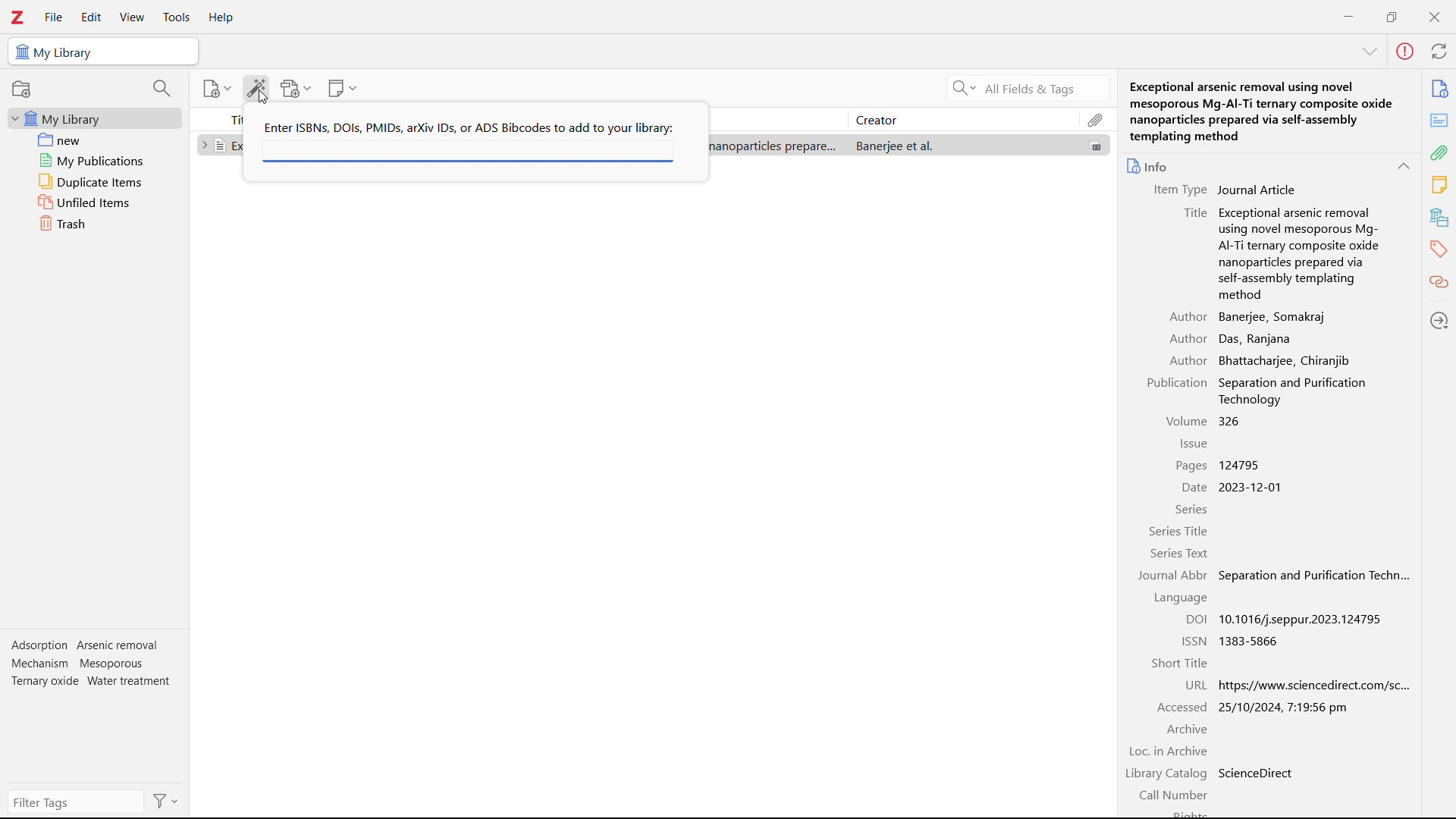 The height and width of the screenshot is (819, 1456). What do you see at coordinates (1441, 216) in the screenshot?
I see `libraries and collections` at bounding box center [1441, 216].